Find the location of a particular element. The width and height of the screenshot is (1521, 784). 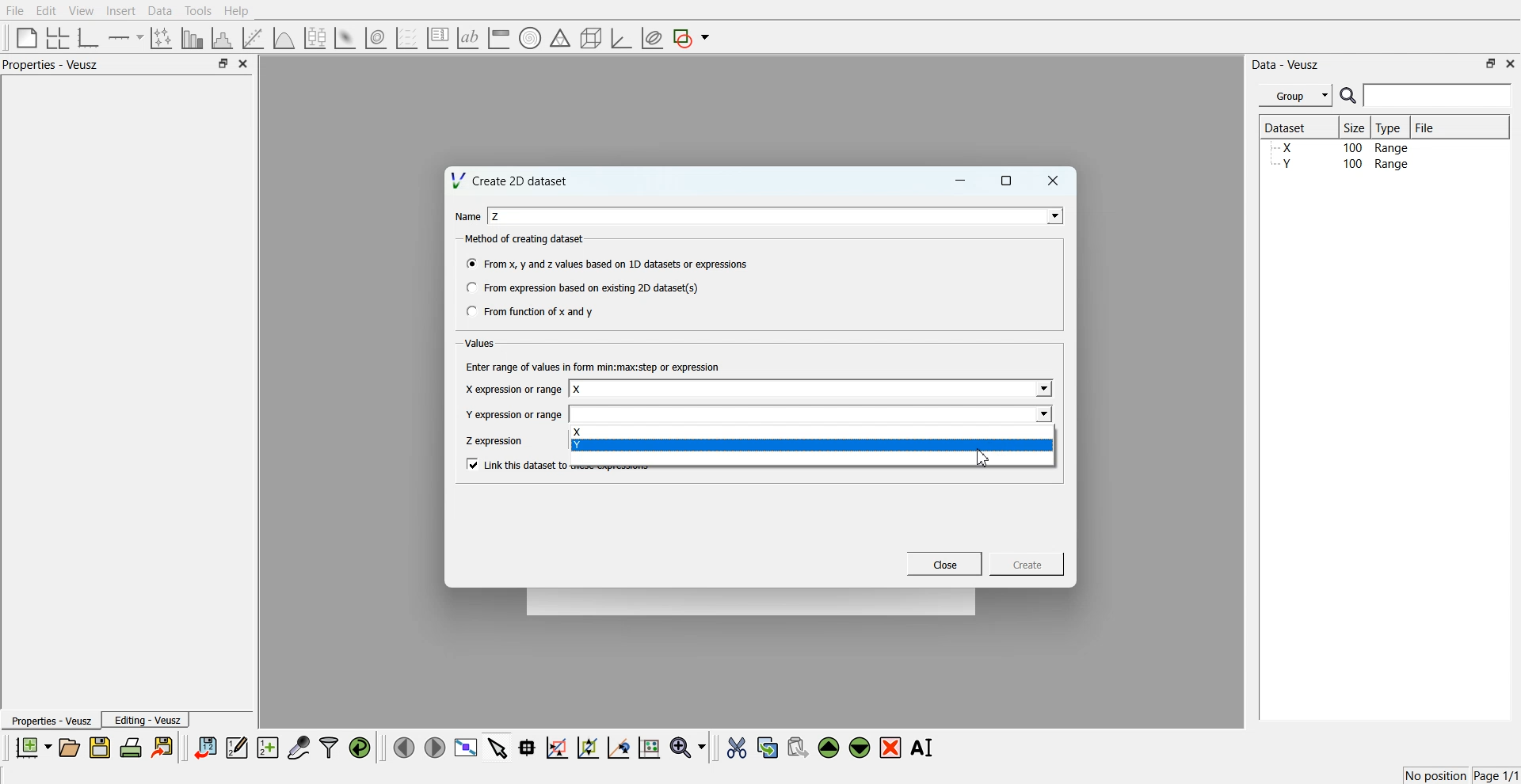

Close is located at coordinates (1054, 181).